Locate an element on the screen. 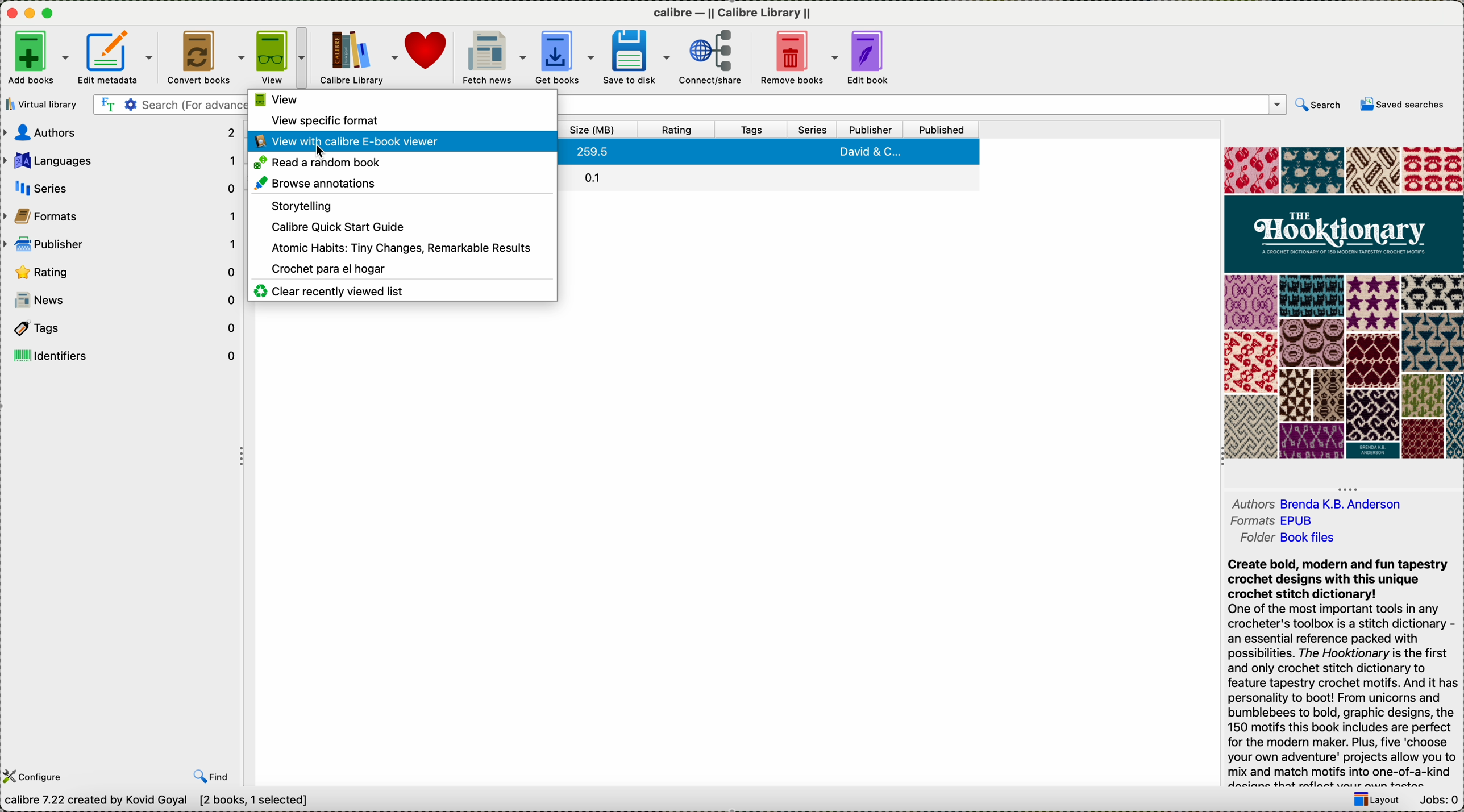 This screenshot has width=1464, height=812. published is located at coordinates (942, 129).